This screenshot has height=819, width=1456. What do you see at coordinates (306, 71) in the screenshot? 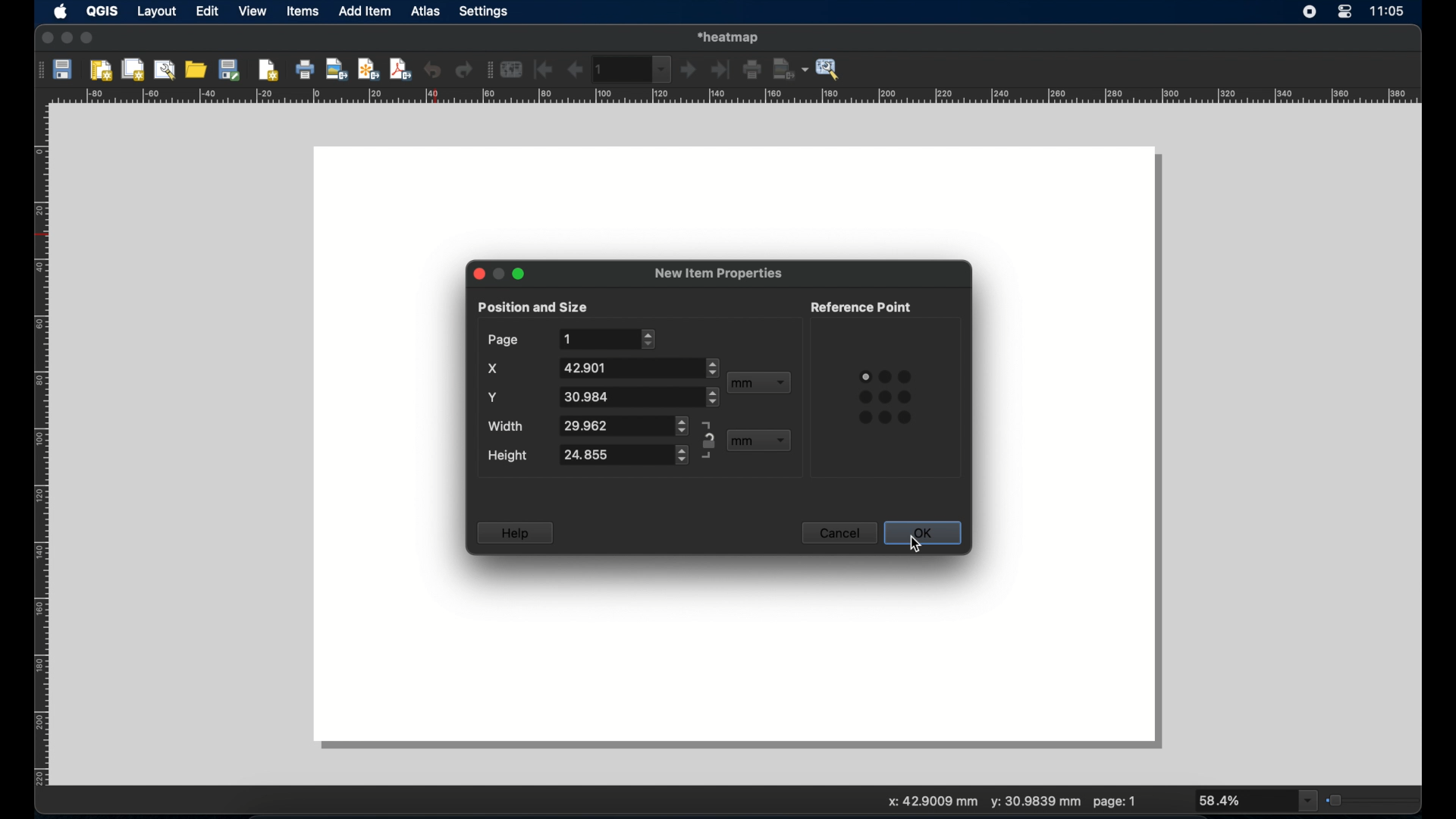
I see `print layout` at bounding box center [306, 71].